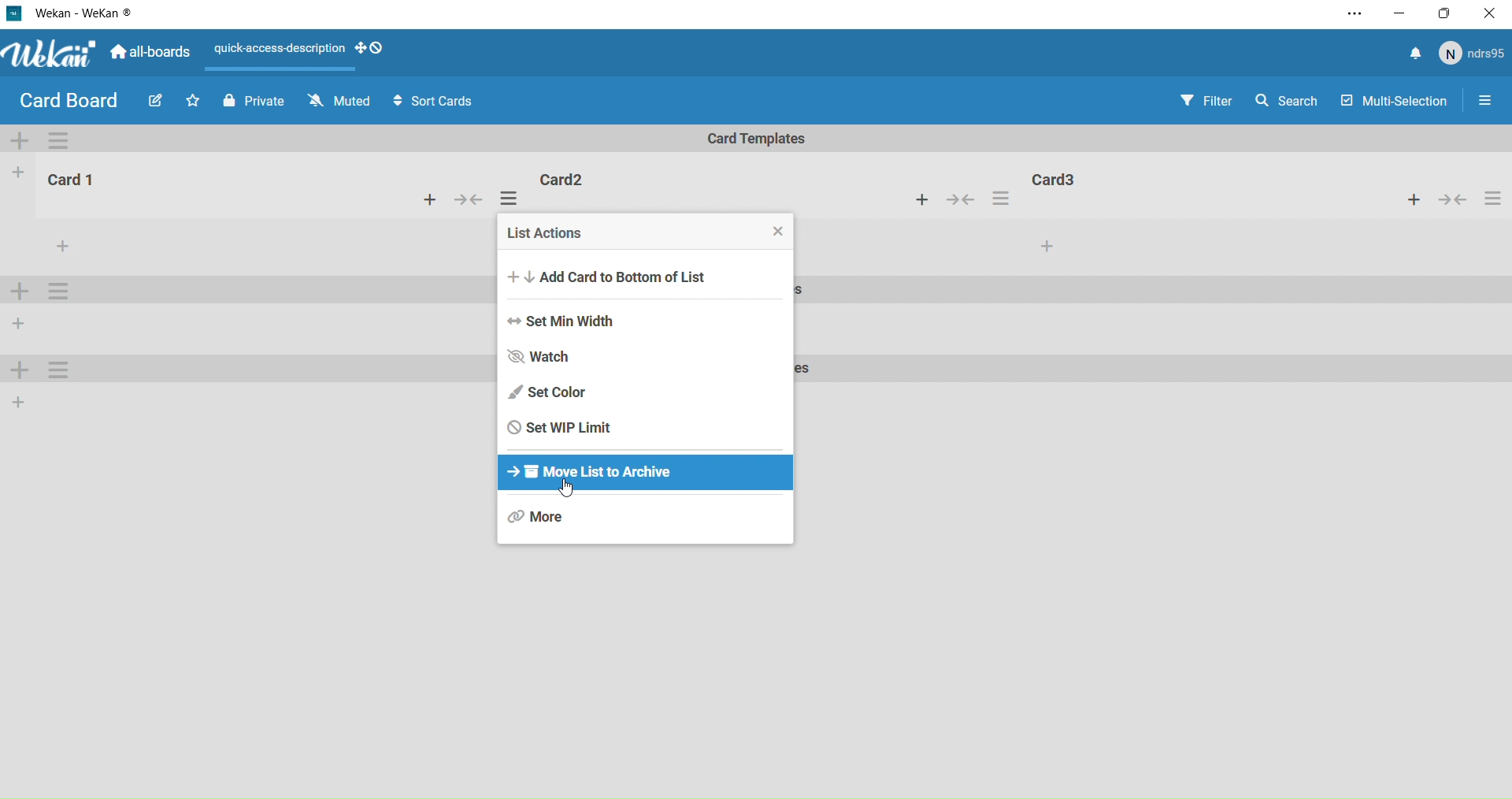  What do you see at coordinates (251, 102) in the screenshot?
I see `Private` at bounding box center [251, 102].